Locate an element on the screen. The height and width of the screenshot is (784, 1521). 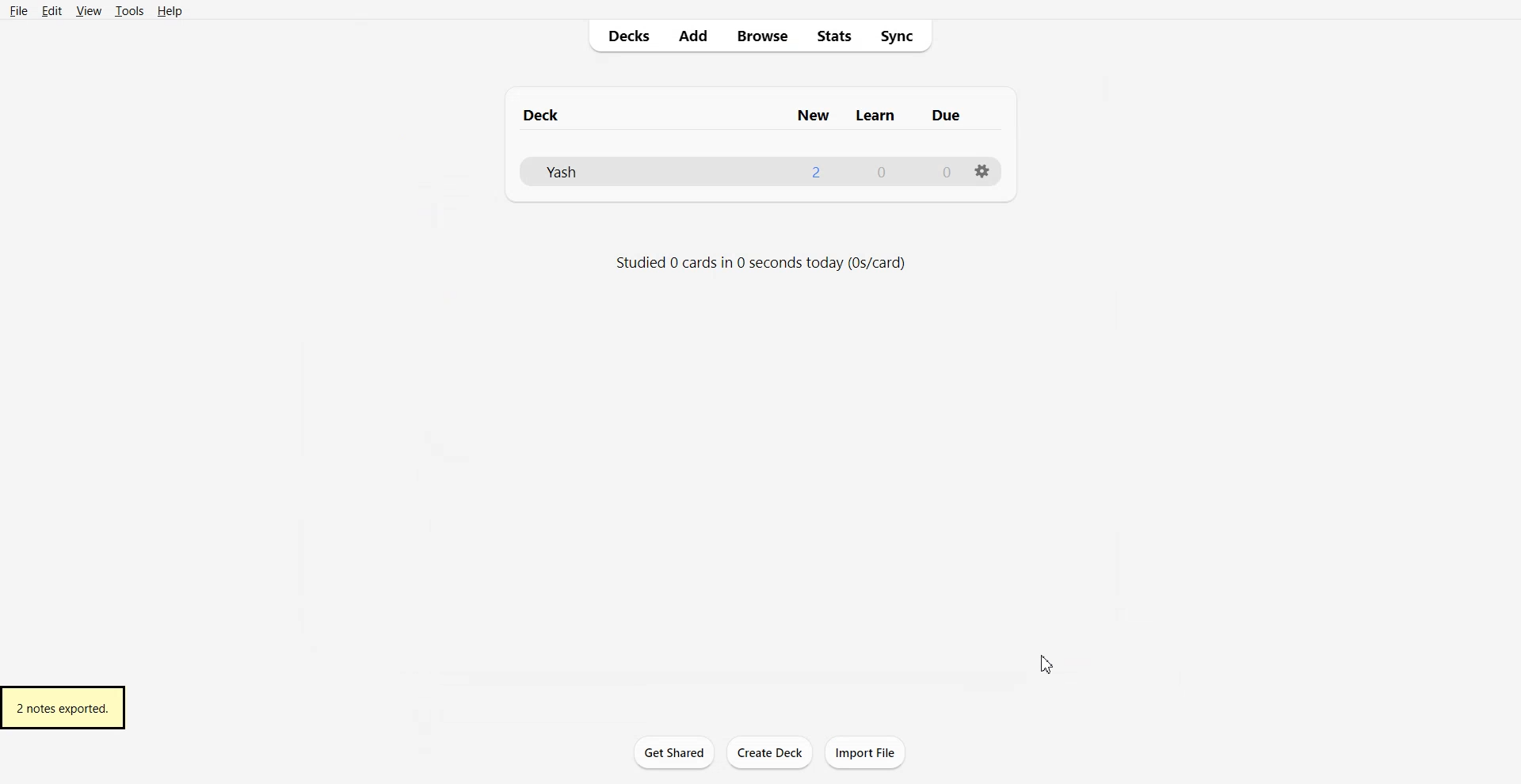
Cursor is located at coordinates (1049, 663).